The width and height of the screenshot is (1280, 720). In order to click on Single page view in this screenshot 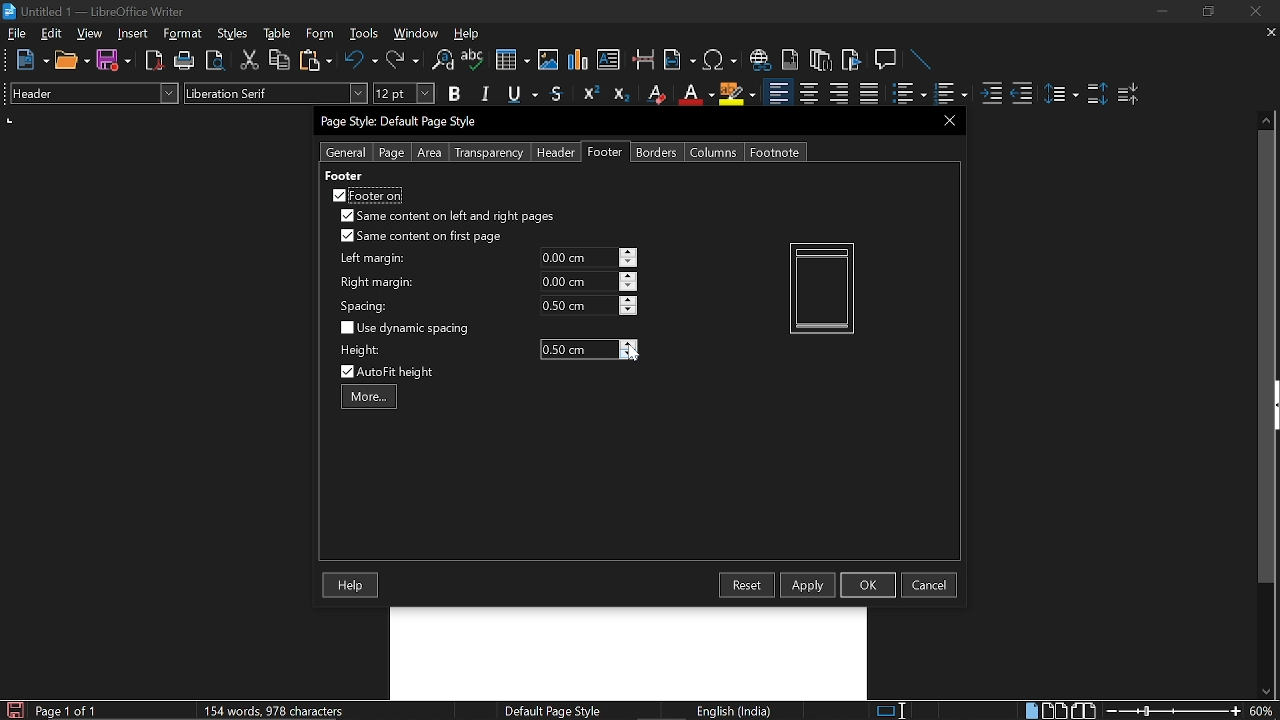, I will do `click(1031, 710)`.